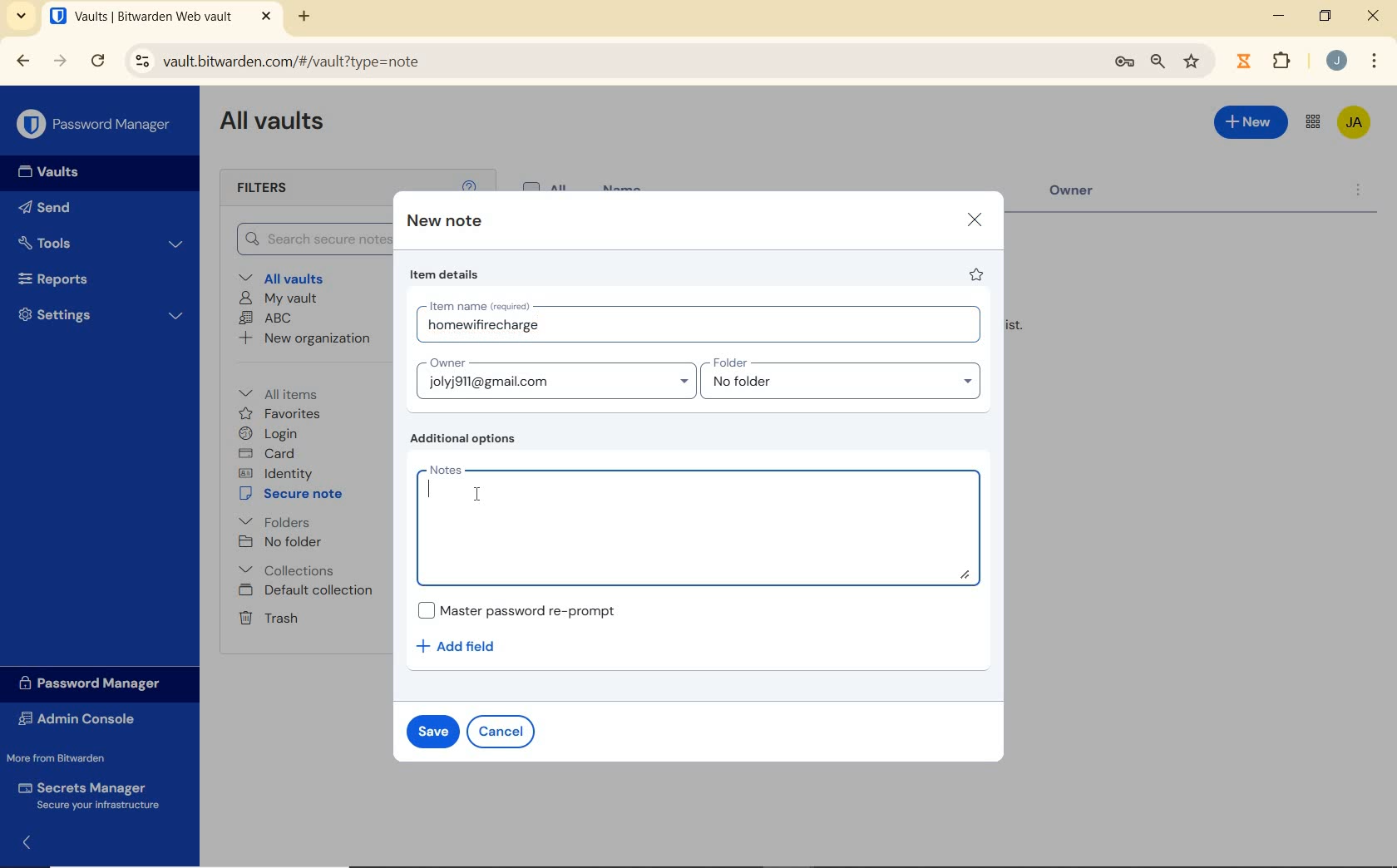  What do you see at coordinates (447, 274) in the screenshot?
I see `item details` at bounding box center [447, 274].